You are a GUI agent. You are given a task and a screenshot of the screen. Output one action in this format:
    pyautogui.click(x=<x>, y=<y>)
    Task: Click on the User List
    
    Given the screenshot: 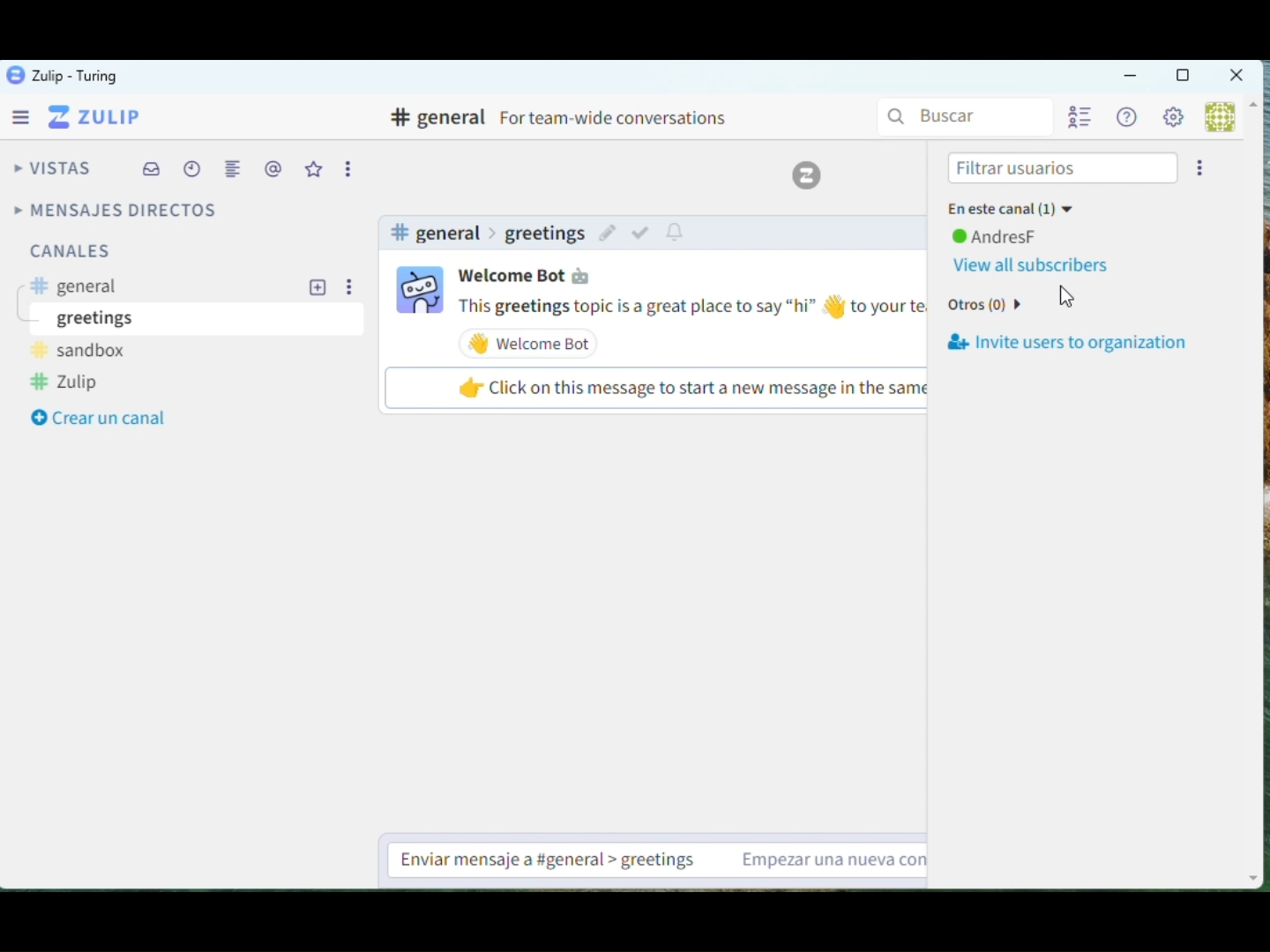 What is the action you would take?
    pyautogui.click(x=1076, y=117)
    